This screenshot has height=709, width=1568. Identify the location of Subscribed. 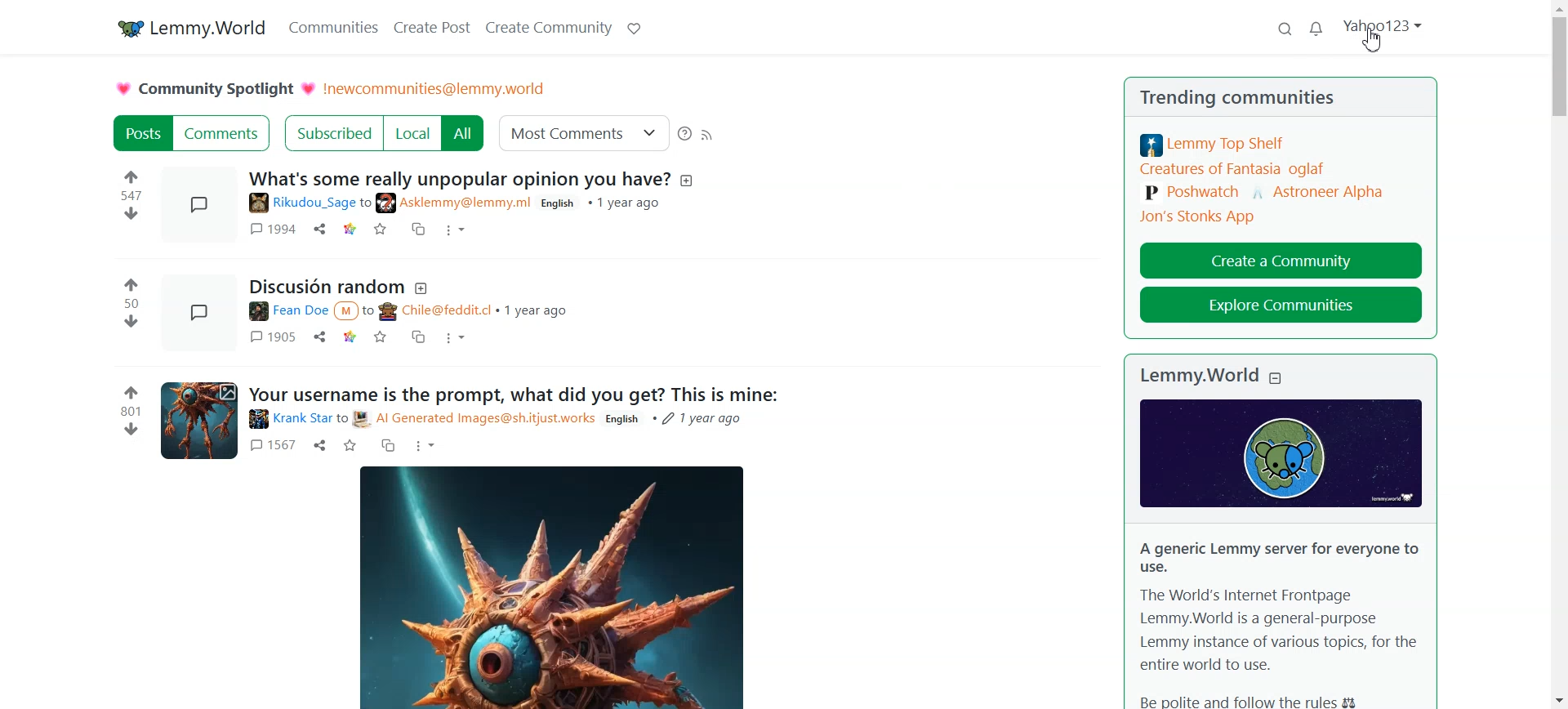
(332, 133).